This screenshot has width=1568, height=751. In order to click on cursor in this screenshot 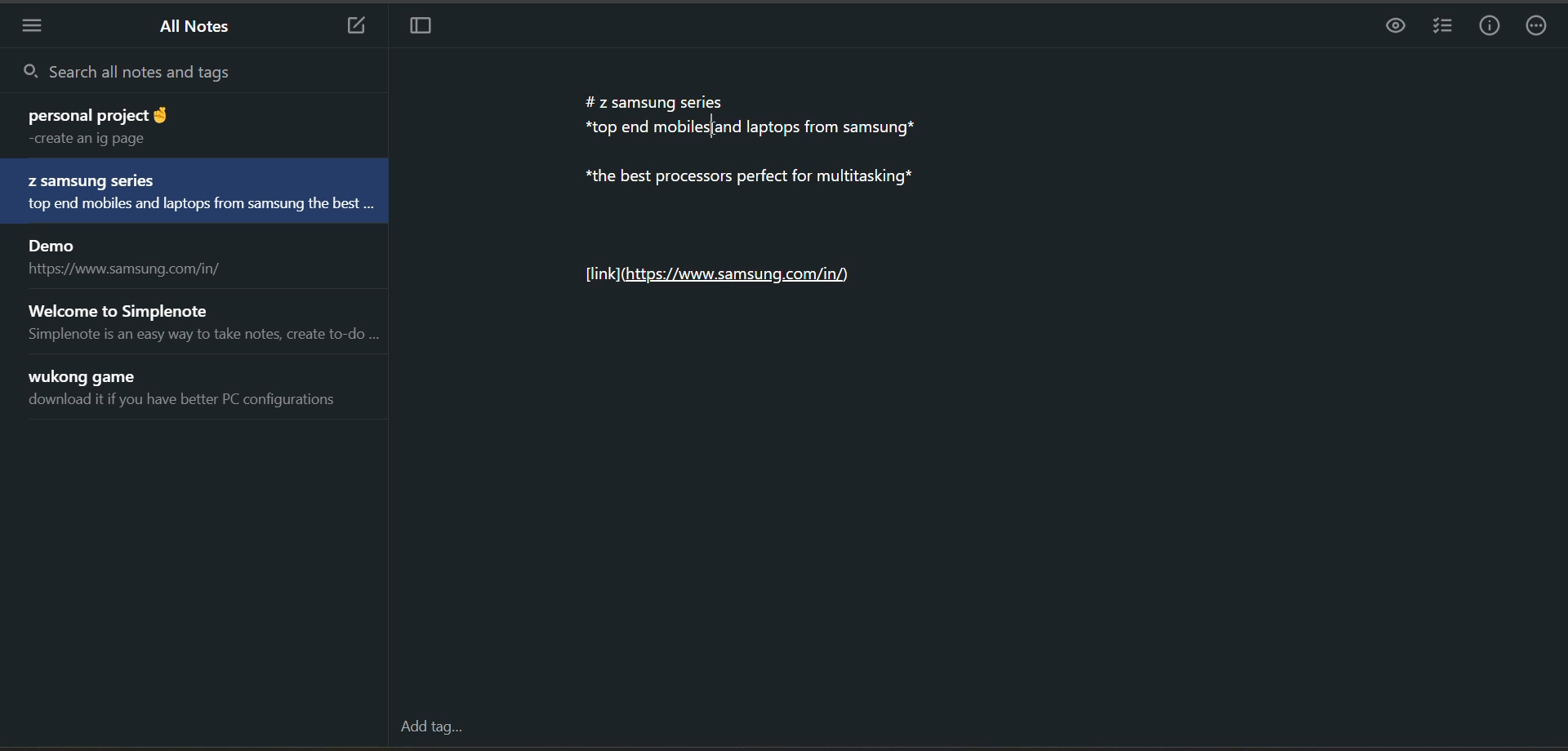, I will do `click(719, 126)`.